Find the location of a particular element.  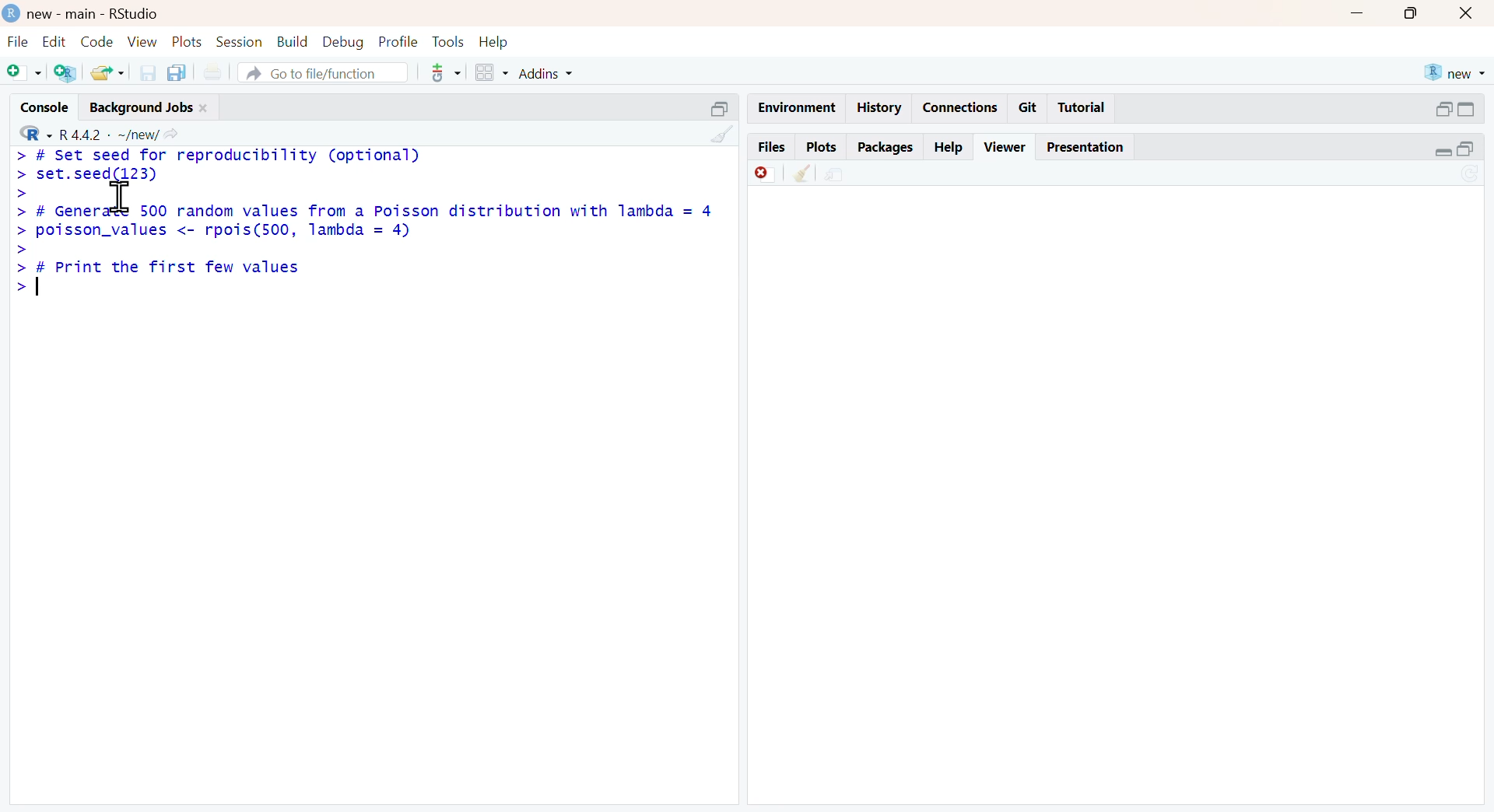

copy is located at coordinates (177, 72).